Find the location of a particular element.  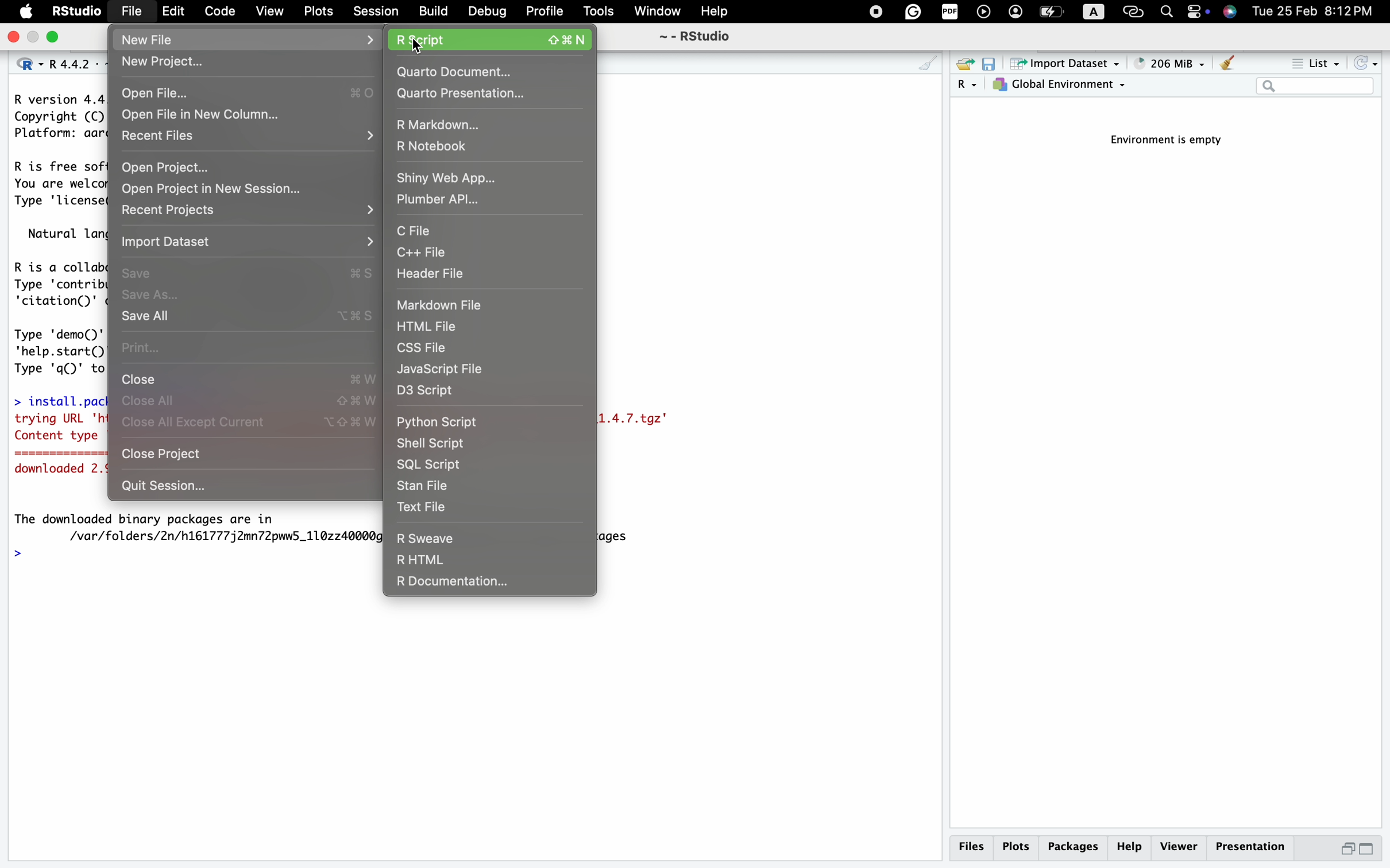

minimize is located at coordinates (36, 38).